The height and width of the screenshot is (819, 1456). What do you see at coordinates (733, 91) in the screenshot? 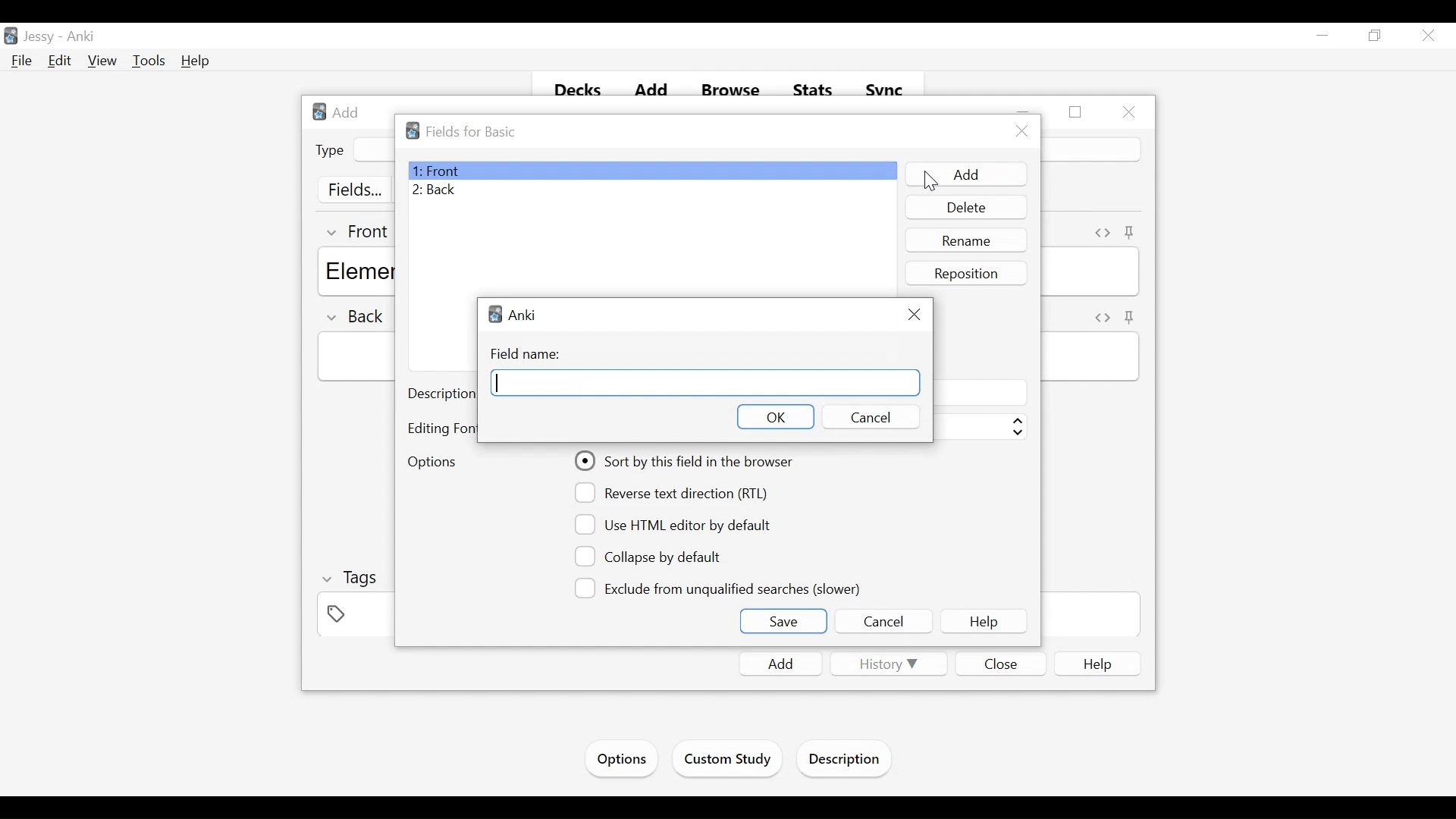
I see `Browse` at bounding box center [733, 91].